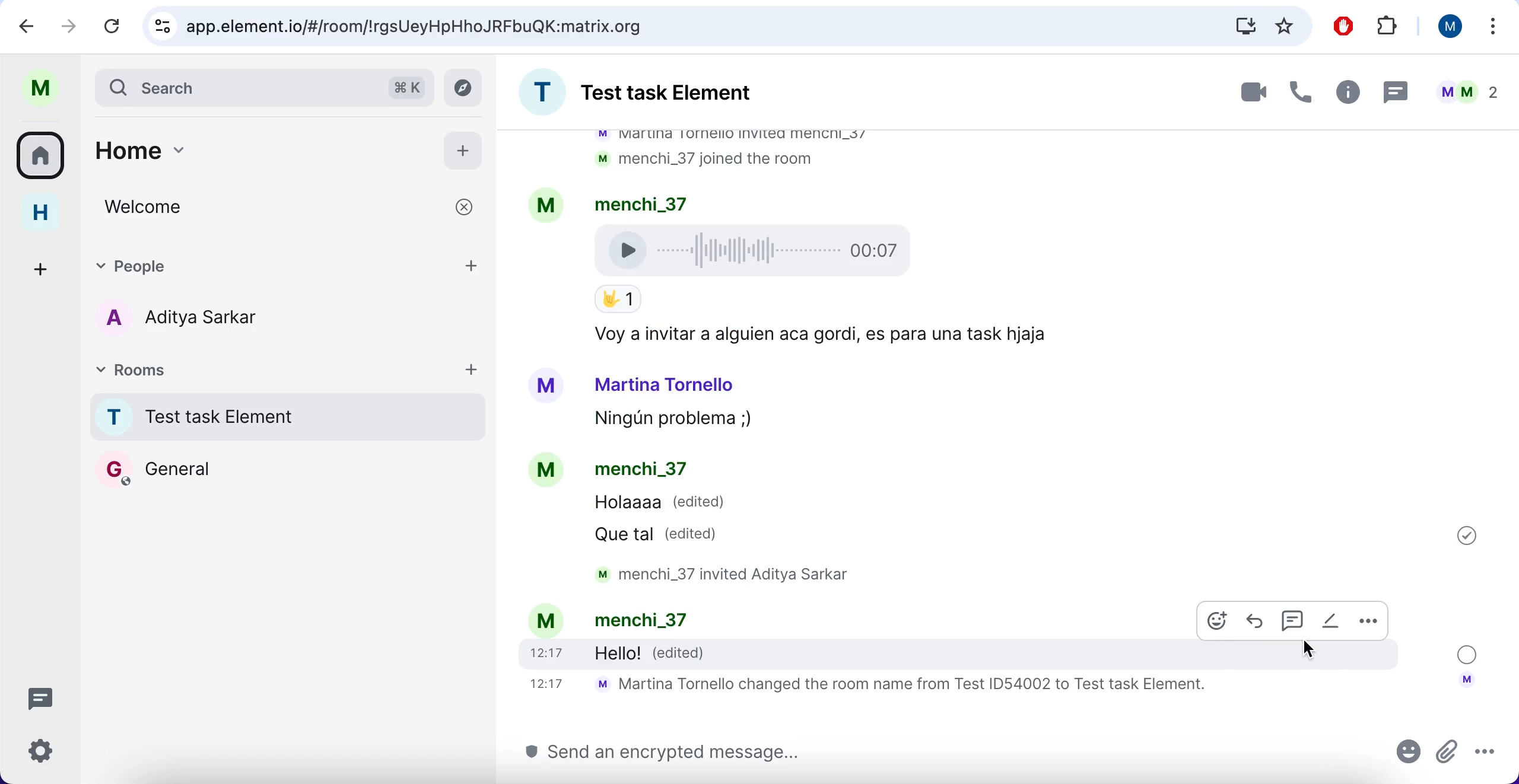 This screenshot has height=784, width=1519. Describe the element at coordinates (1333, 620) in the screenshot. I see `edited` at that location.